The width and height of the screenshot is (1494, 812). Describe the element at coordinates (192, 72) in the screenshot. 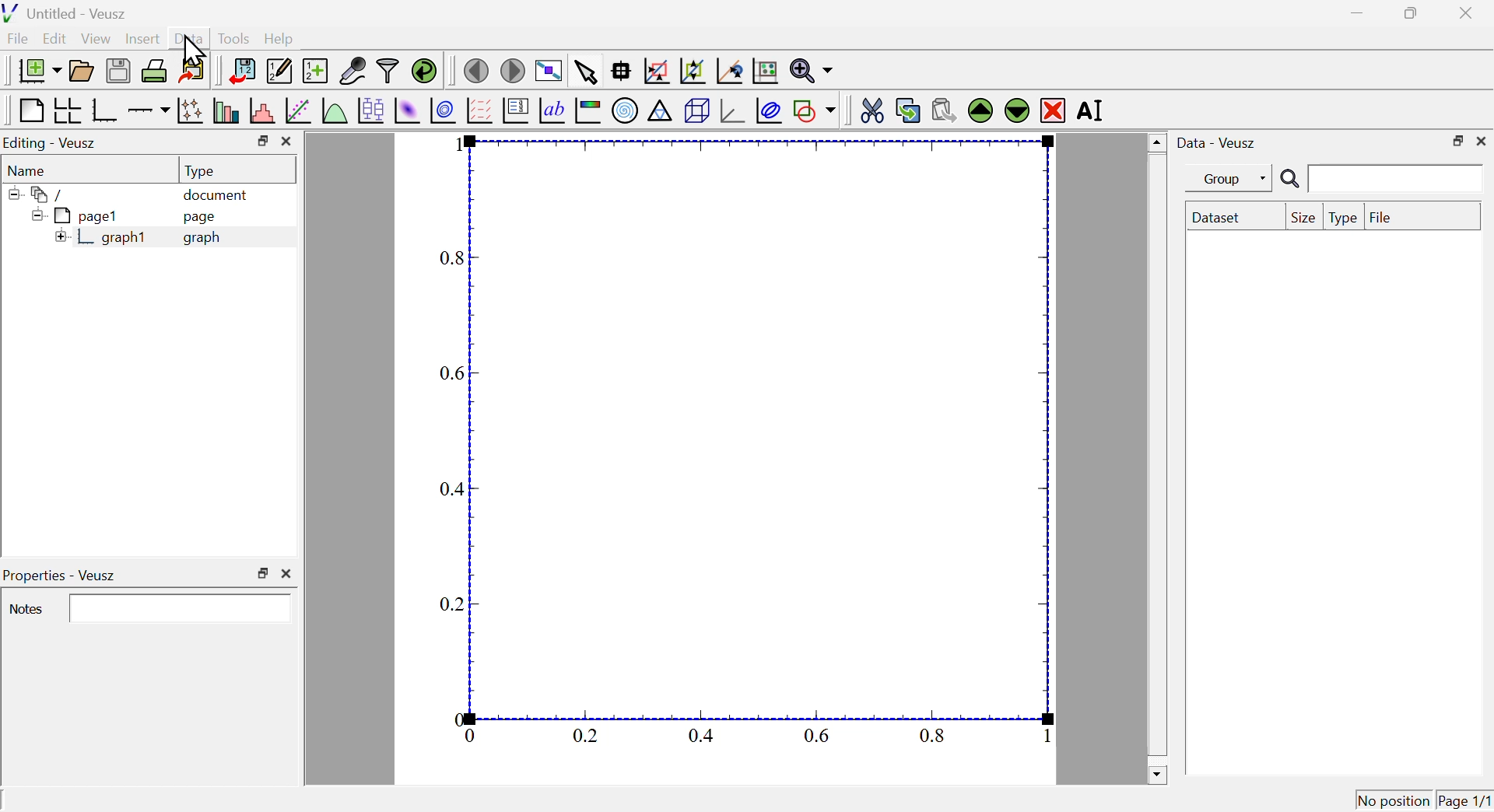

I see `export to graphic formats` at that location.